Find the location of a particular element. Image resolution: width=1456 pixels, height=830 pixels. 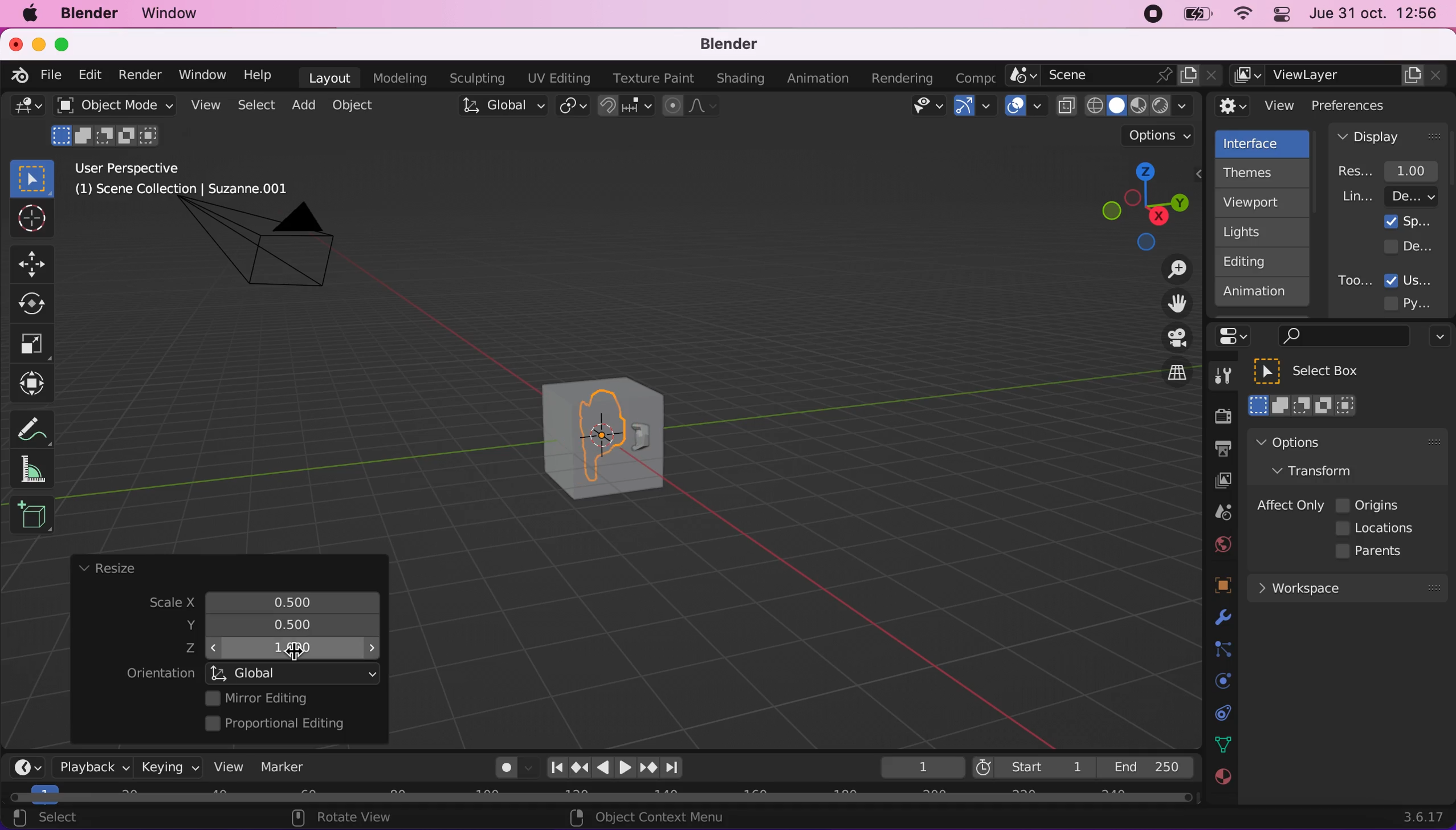

search is located at coordinates (1341, 337).